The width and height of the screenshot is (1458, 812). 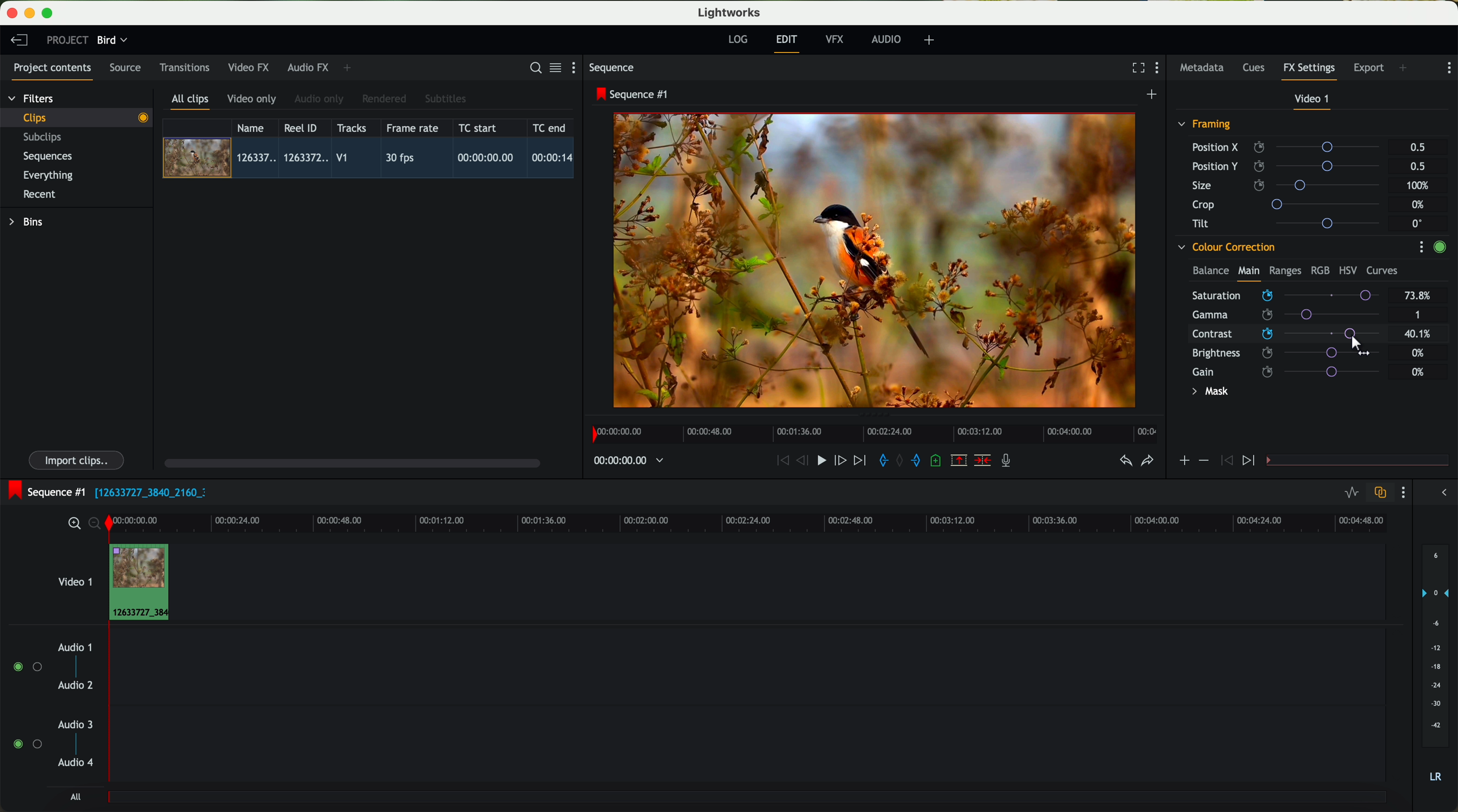 I want to click on scroll bar, so click(x=351, y=462).